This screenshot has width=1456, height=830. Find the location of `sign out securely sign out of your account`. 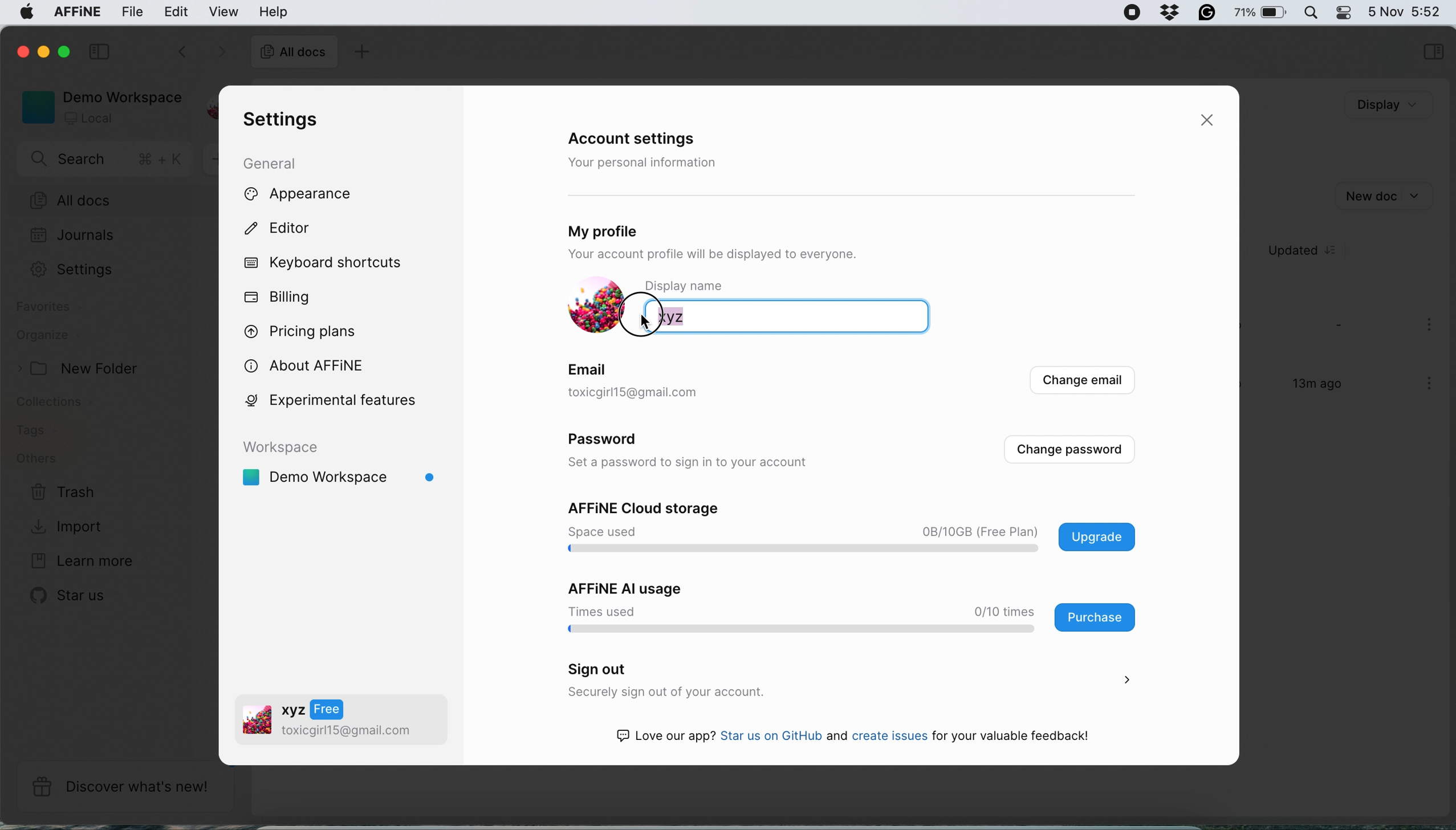

sign out securely sign out of your account is located at coordinates (845, 681).